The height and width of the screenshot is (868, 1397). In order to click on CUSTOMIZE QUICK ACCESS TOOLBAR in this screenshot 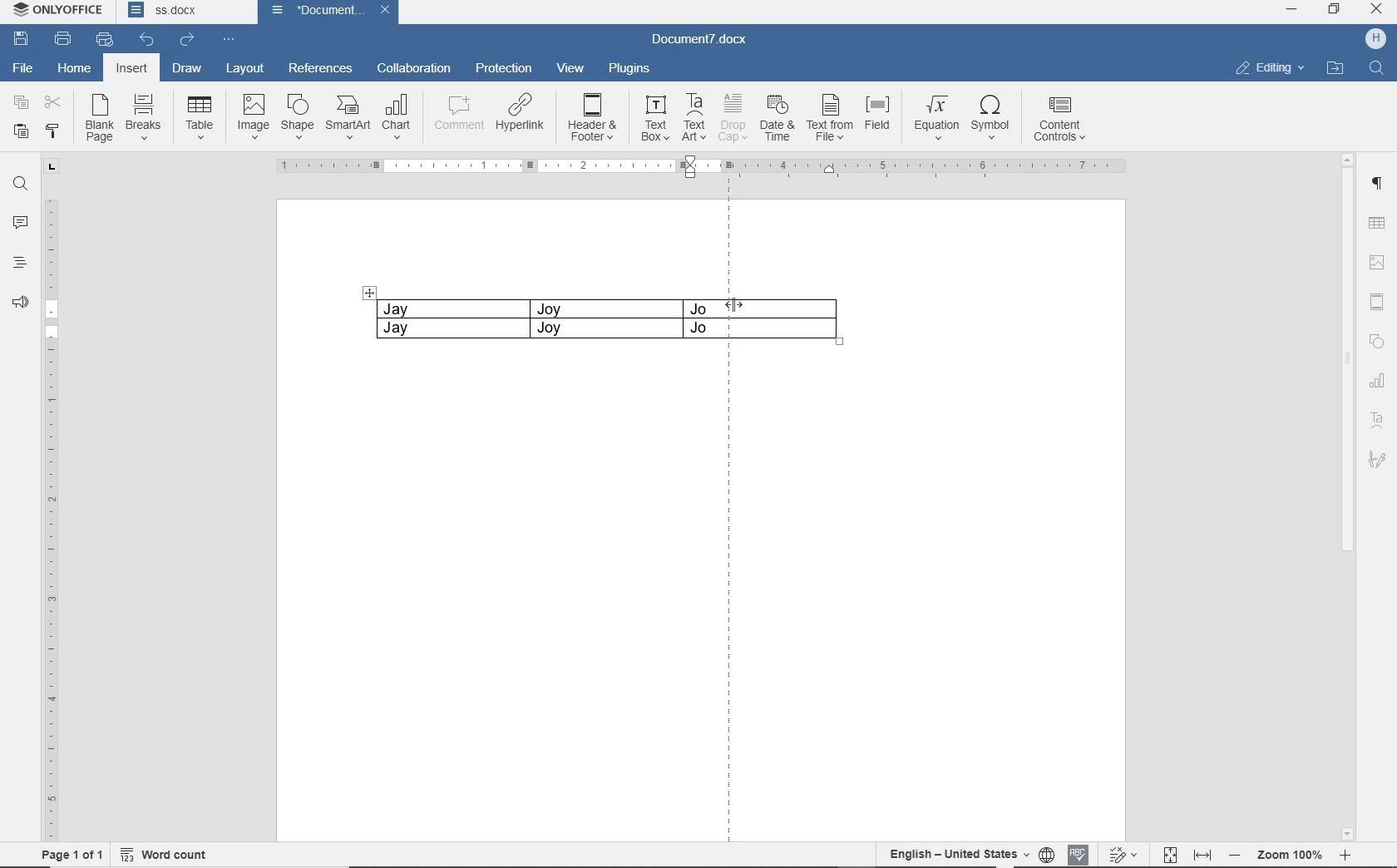, I will do `click(225, 40)`.